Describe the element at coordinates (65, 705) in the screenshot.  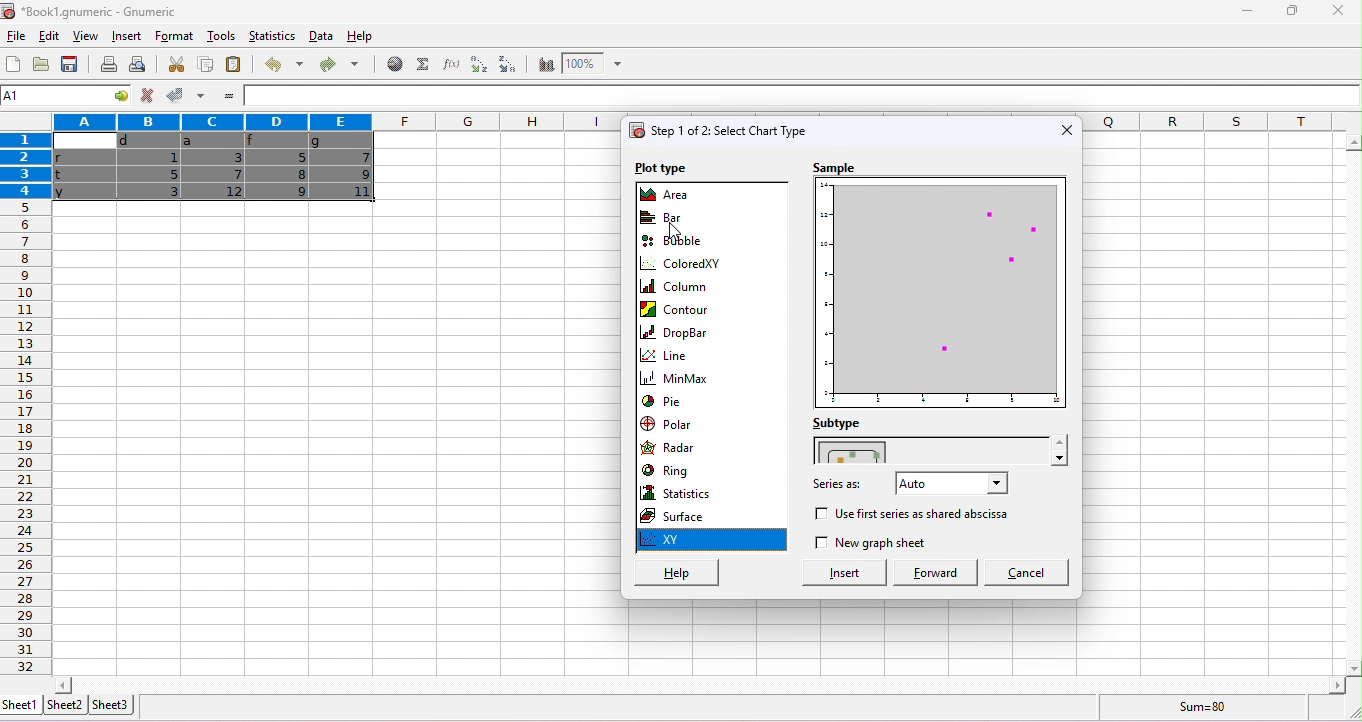
I see `sheet2` at that location.